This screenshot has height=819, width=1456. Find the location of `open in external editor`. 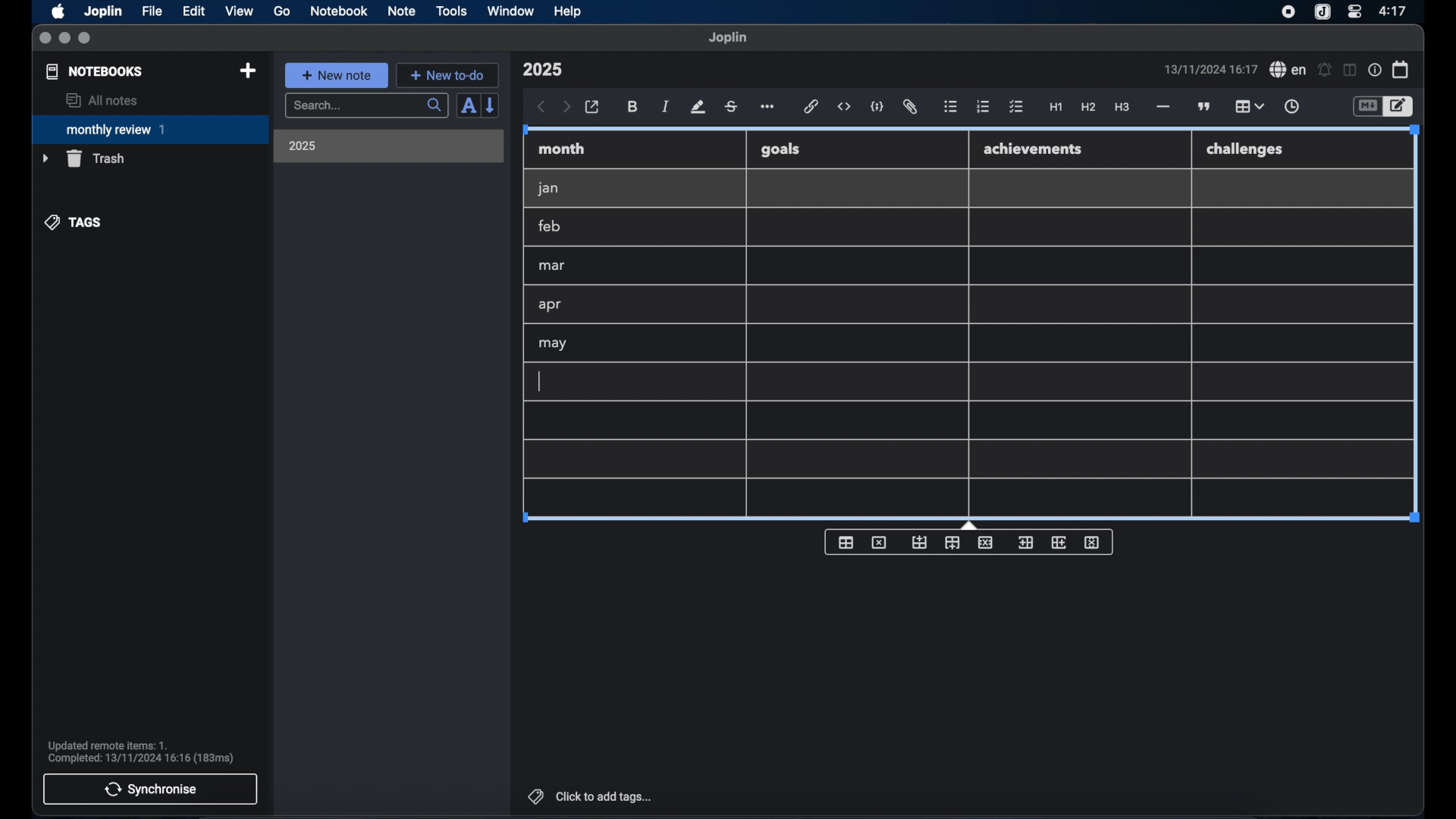

open in external editor is located at coordinates (593, 108).